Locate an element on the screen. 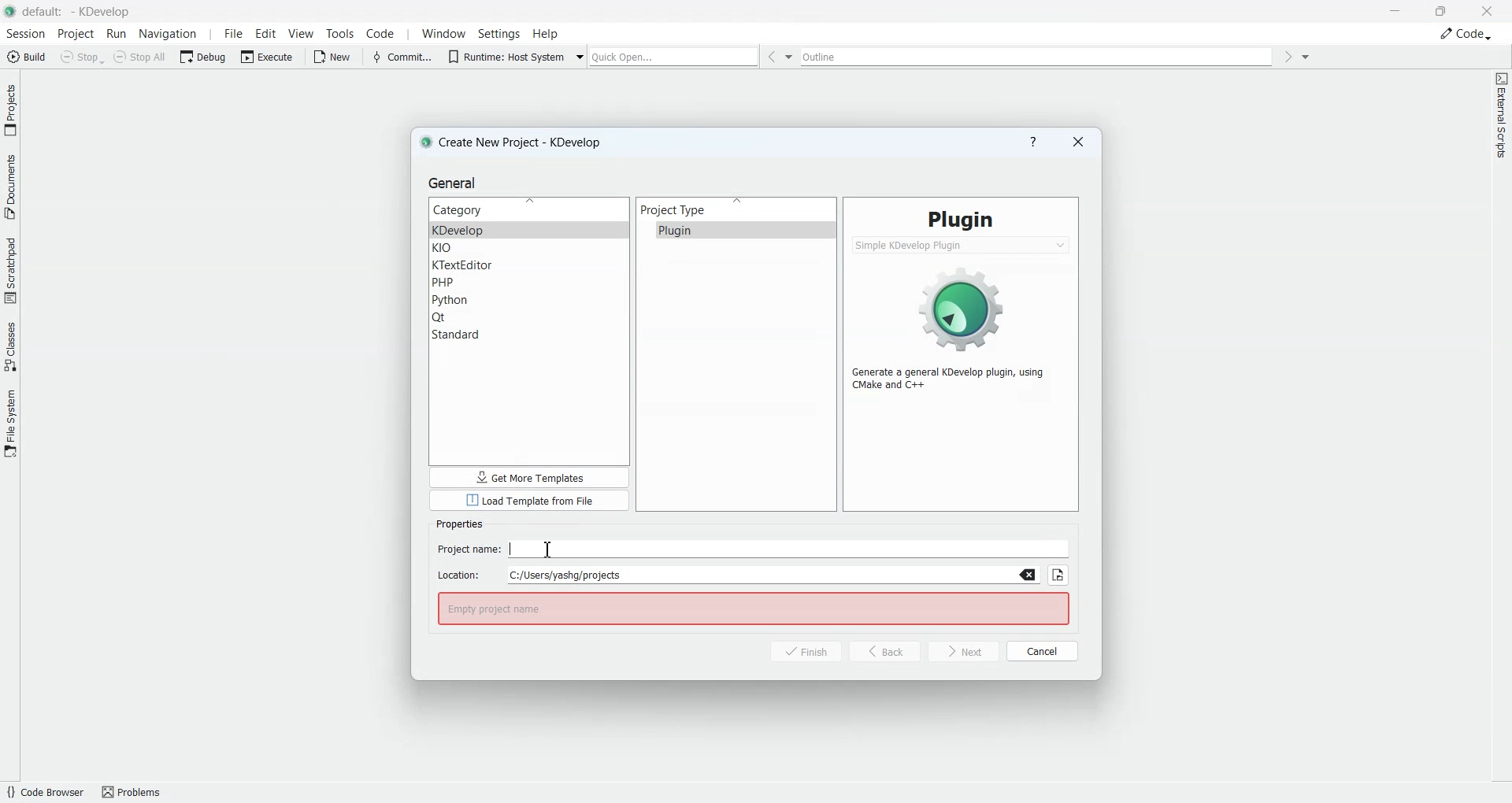 The width and height of the screenshot is (1512, 803). External scripts is located at coordinates (1501, 120).